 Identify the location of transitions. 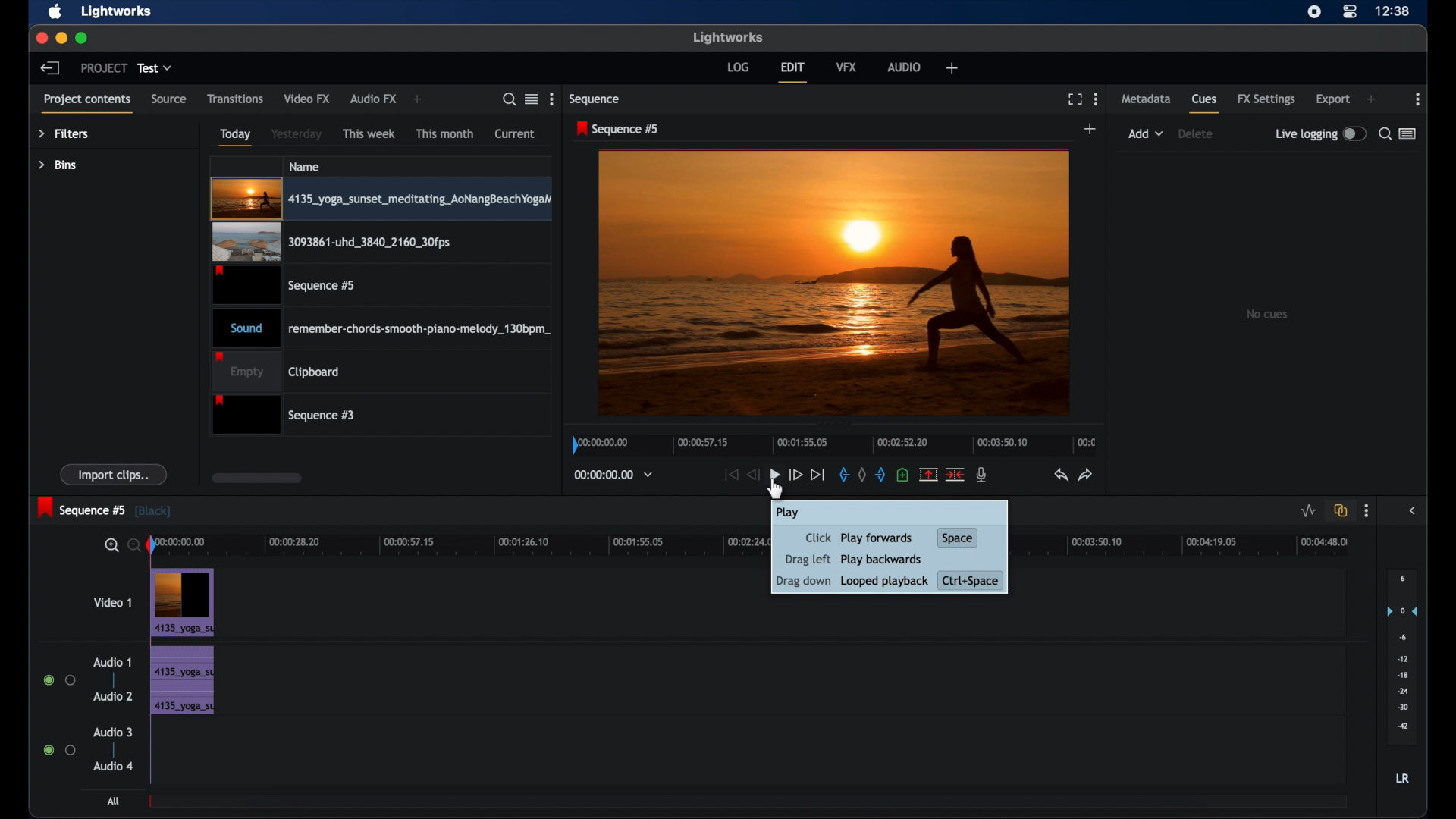
(235, 99).